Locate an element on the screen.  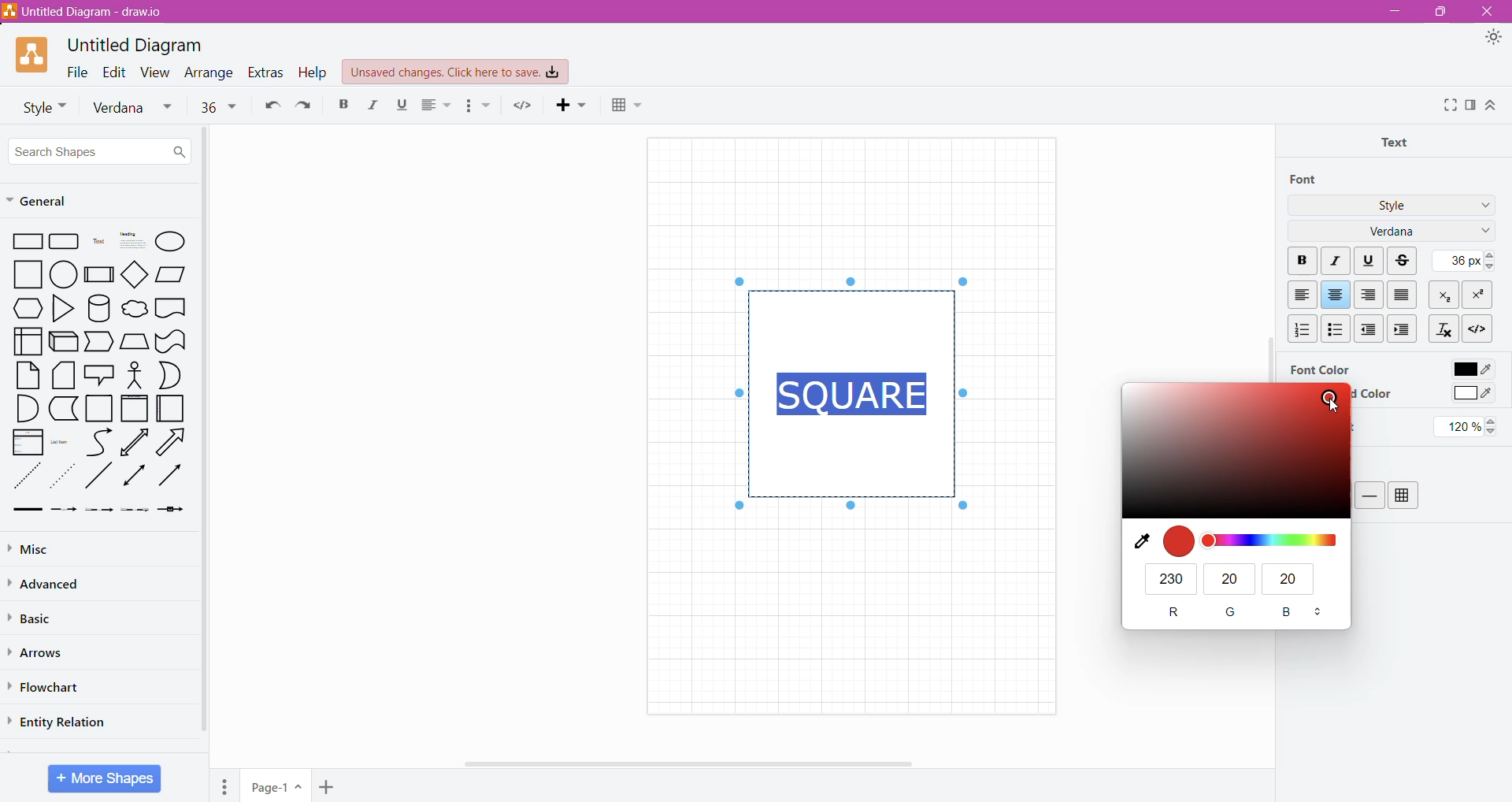
frame is located at coordinates (134, 408).